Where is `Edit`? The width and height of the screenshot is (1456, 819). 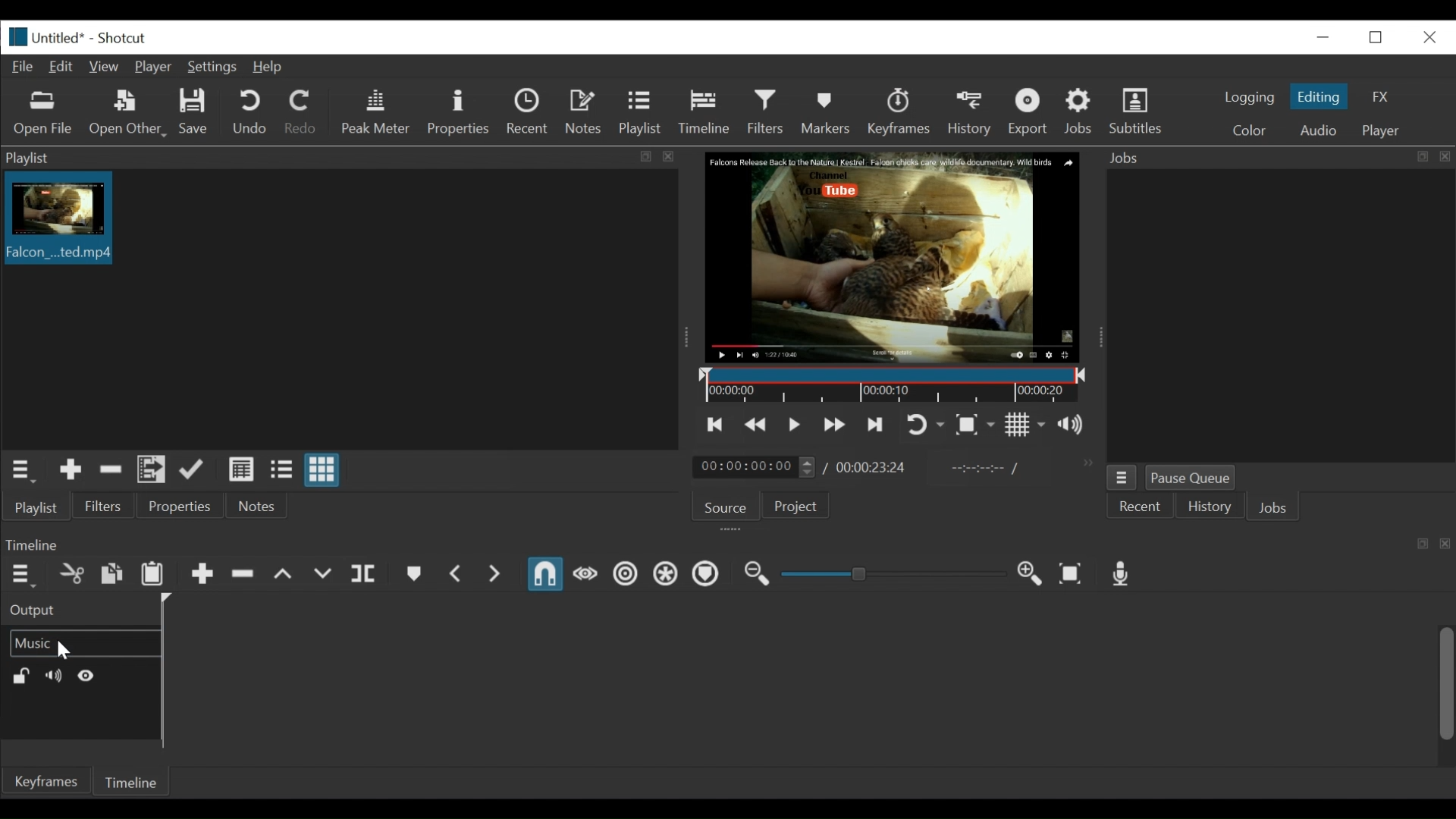
Edit is located at coordinates (63, 67).